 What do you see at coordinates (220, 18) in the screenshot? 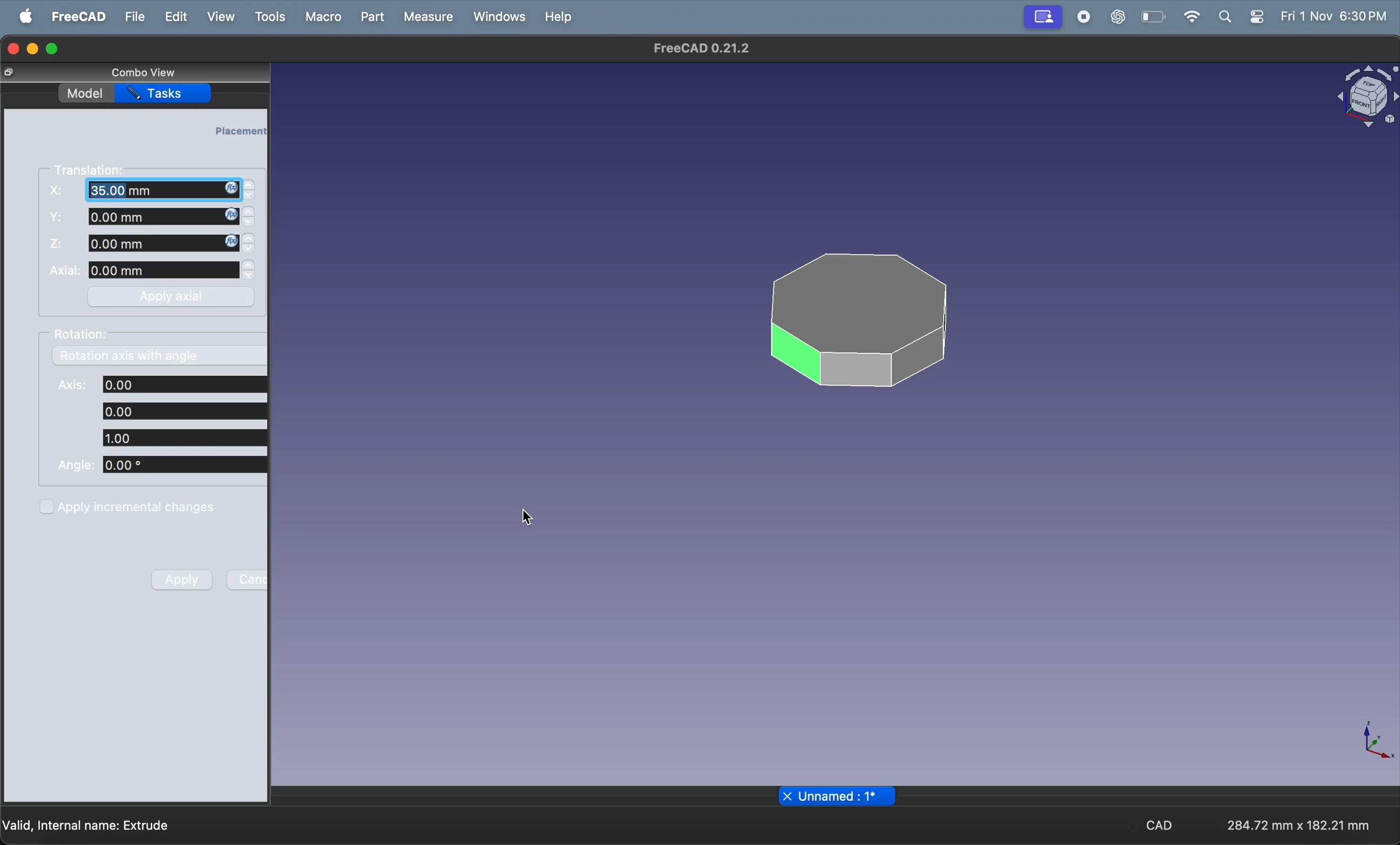
I see `view` at bounding box center [220, 18].